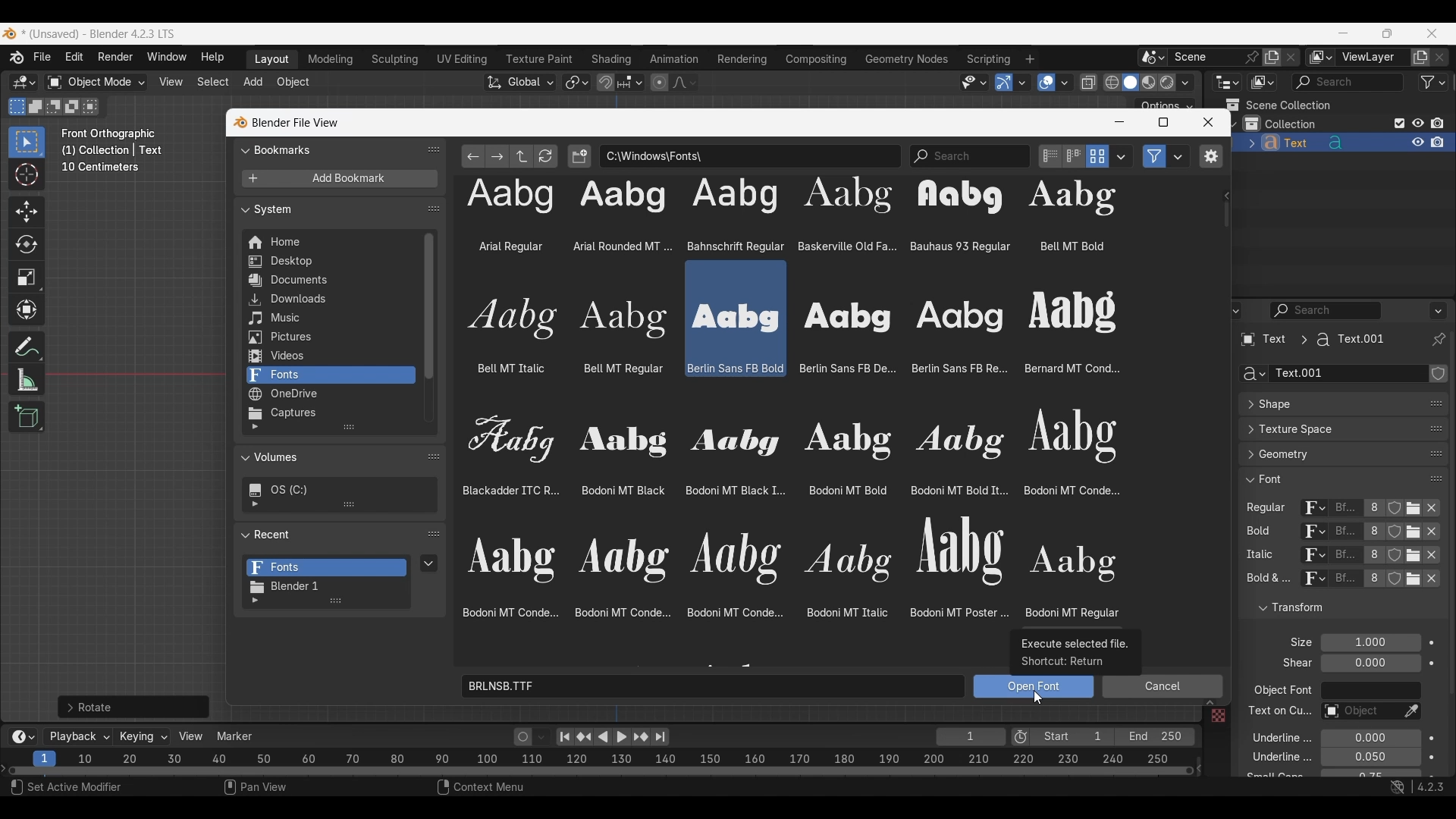 This screenshot has width=1456, height=819. What do you see at coordinates (325, 587) in the screenshot?
I see `Blender 1 folder` at bounding box center [325, 587].